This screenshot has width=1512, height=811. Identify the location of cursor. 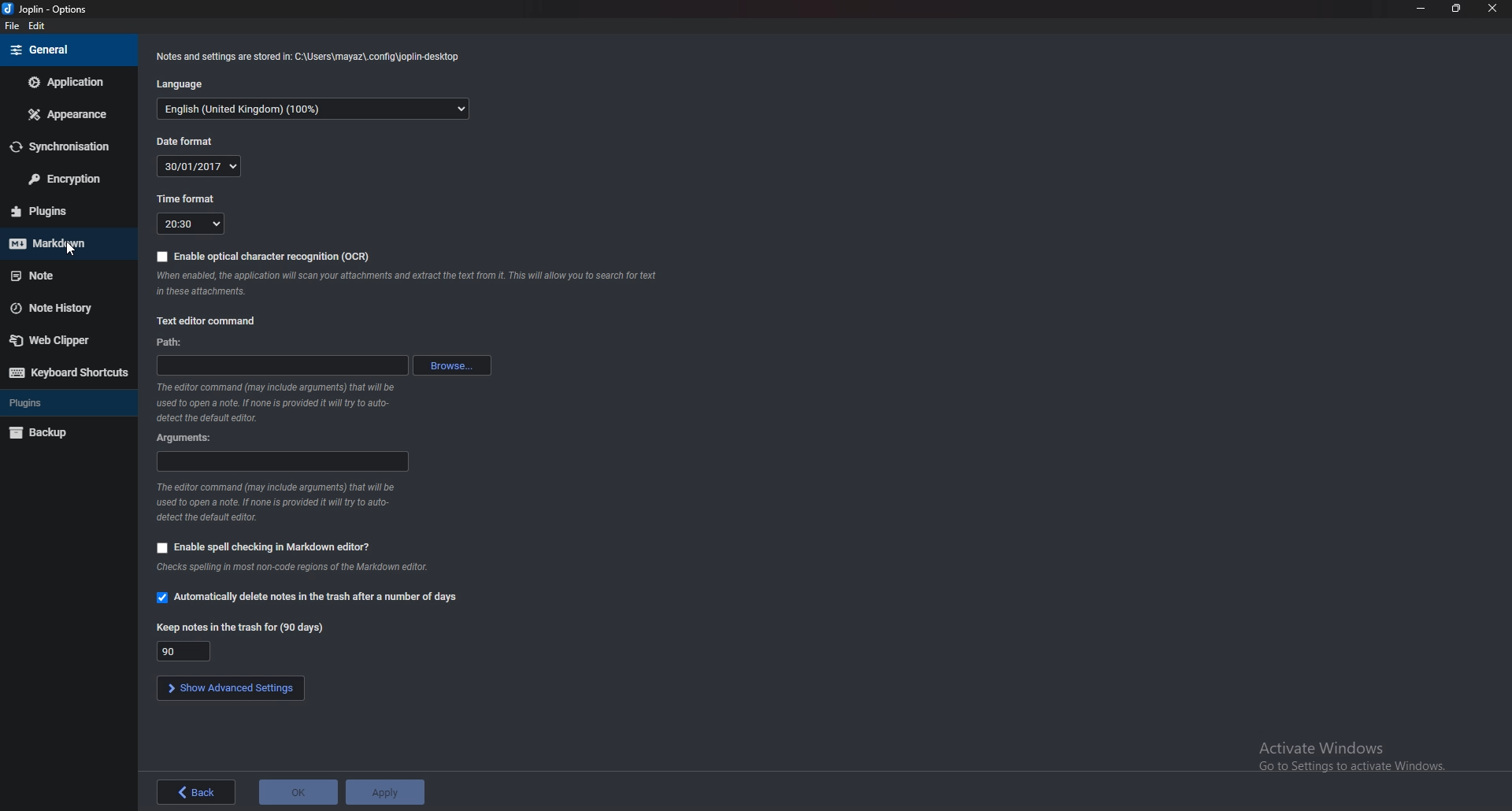
(72, 250).